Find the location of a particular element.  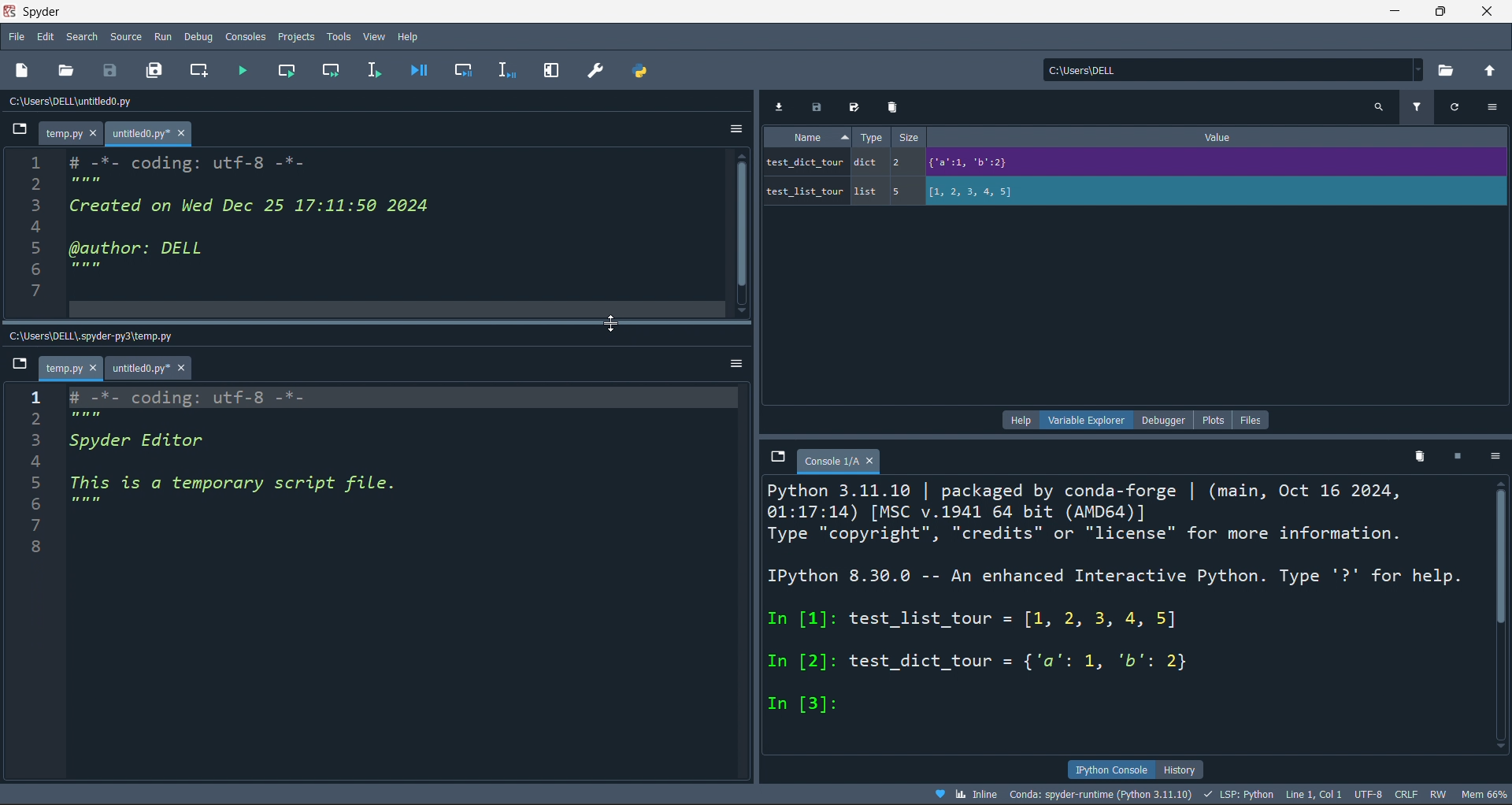

plots is located at coordinates (1212, 418).